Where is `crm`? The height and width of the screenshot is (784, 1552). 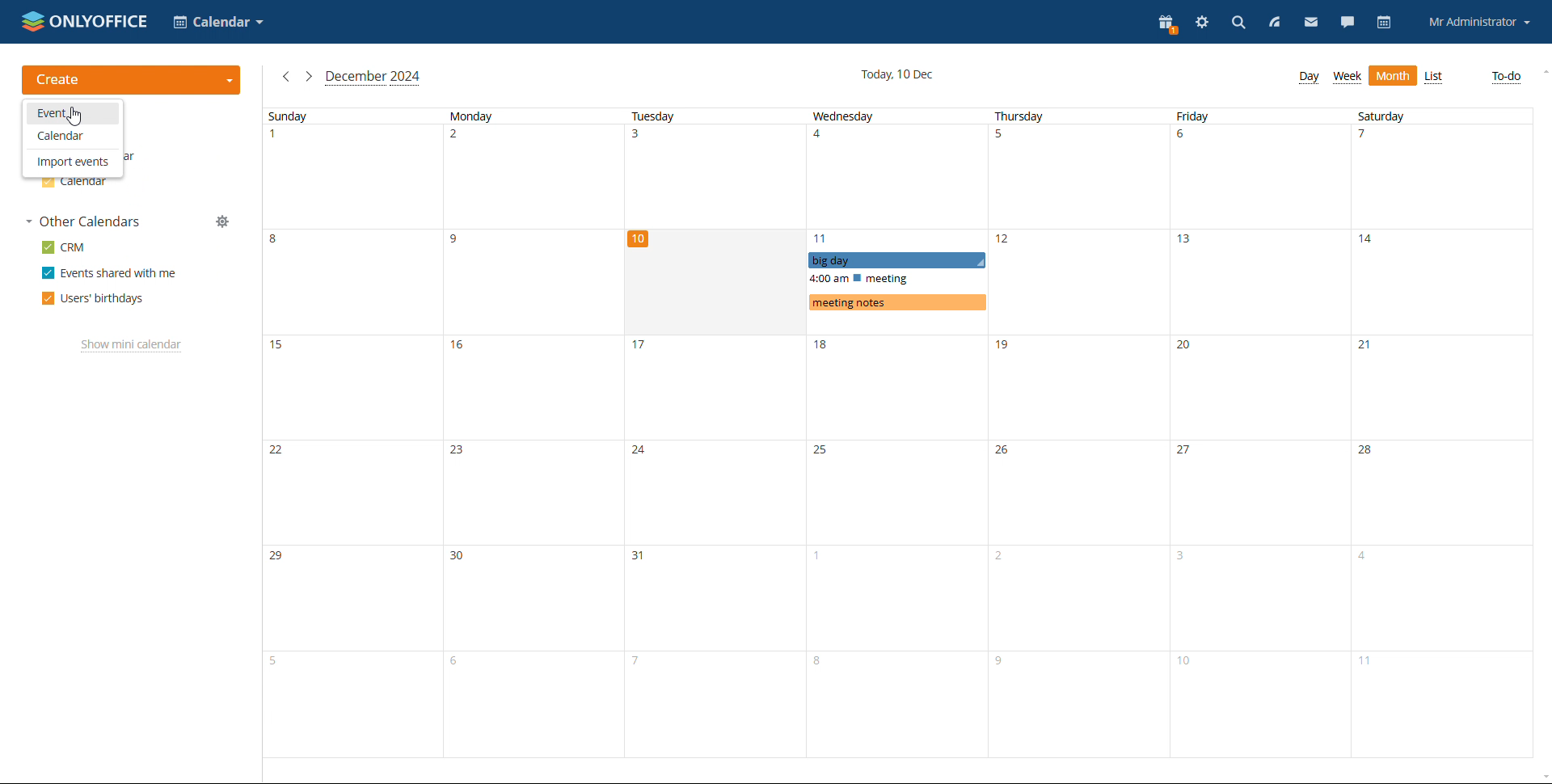
crm is located at coordinates (64, 247).